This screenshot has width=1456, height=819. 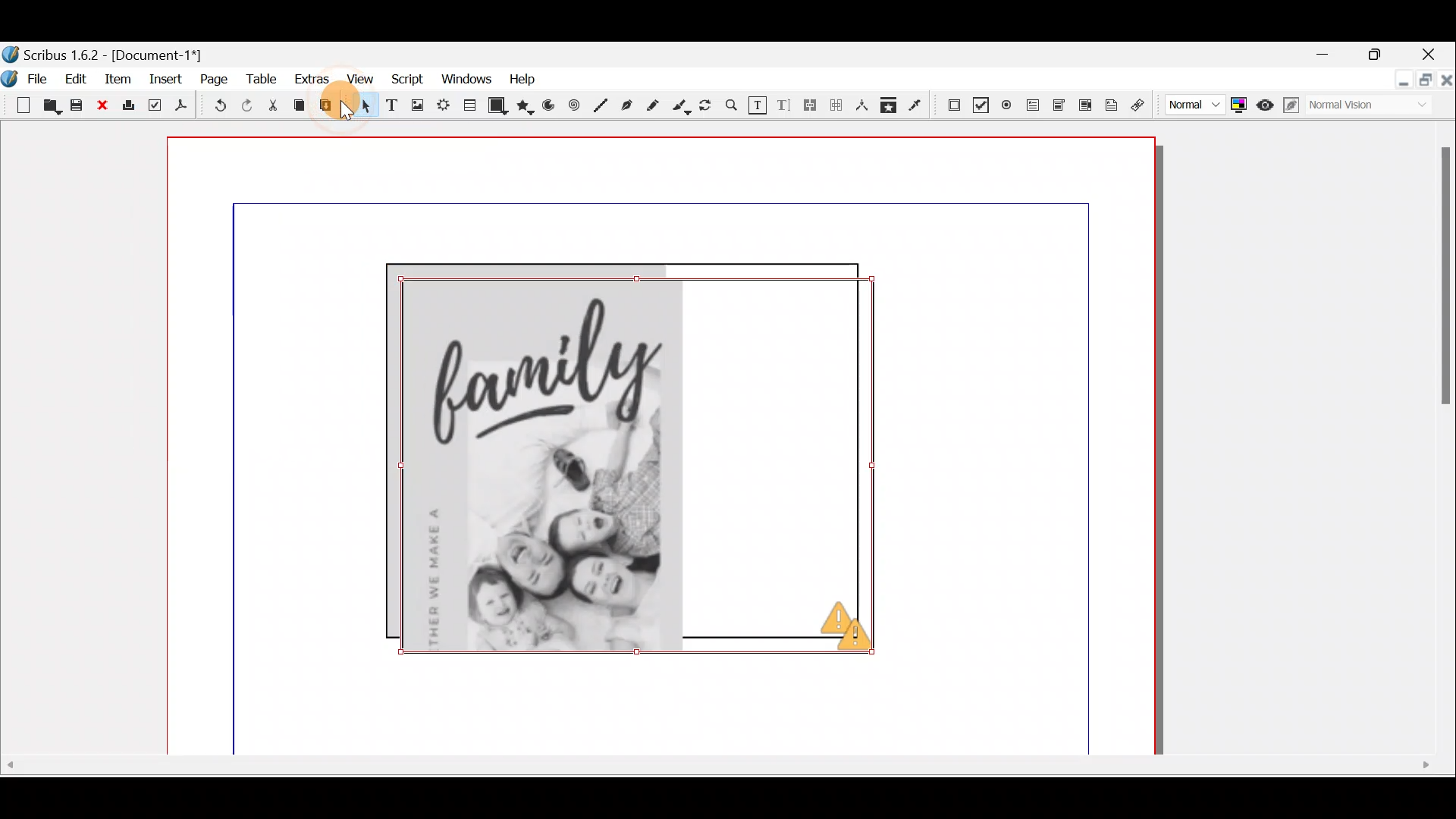 I want to click on Zoom in or out, so click(x=732, y=107).